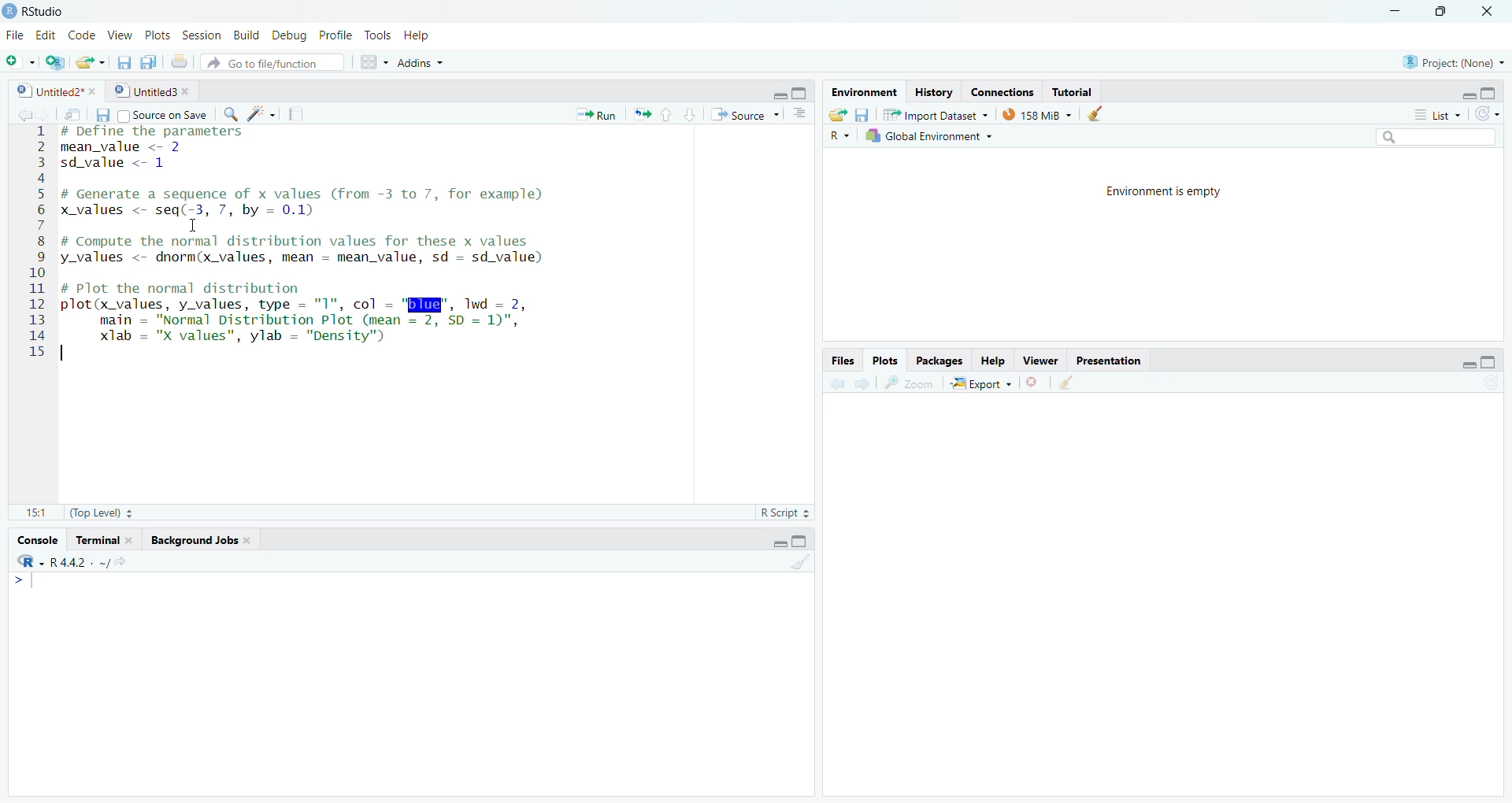 Image resolution: width=1512 pixels, height=803 pixels. Describe the element at coordinates (640, 115) in the screenshot. I see `rerun the previous code` at that location.